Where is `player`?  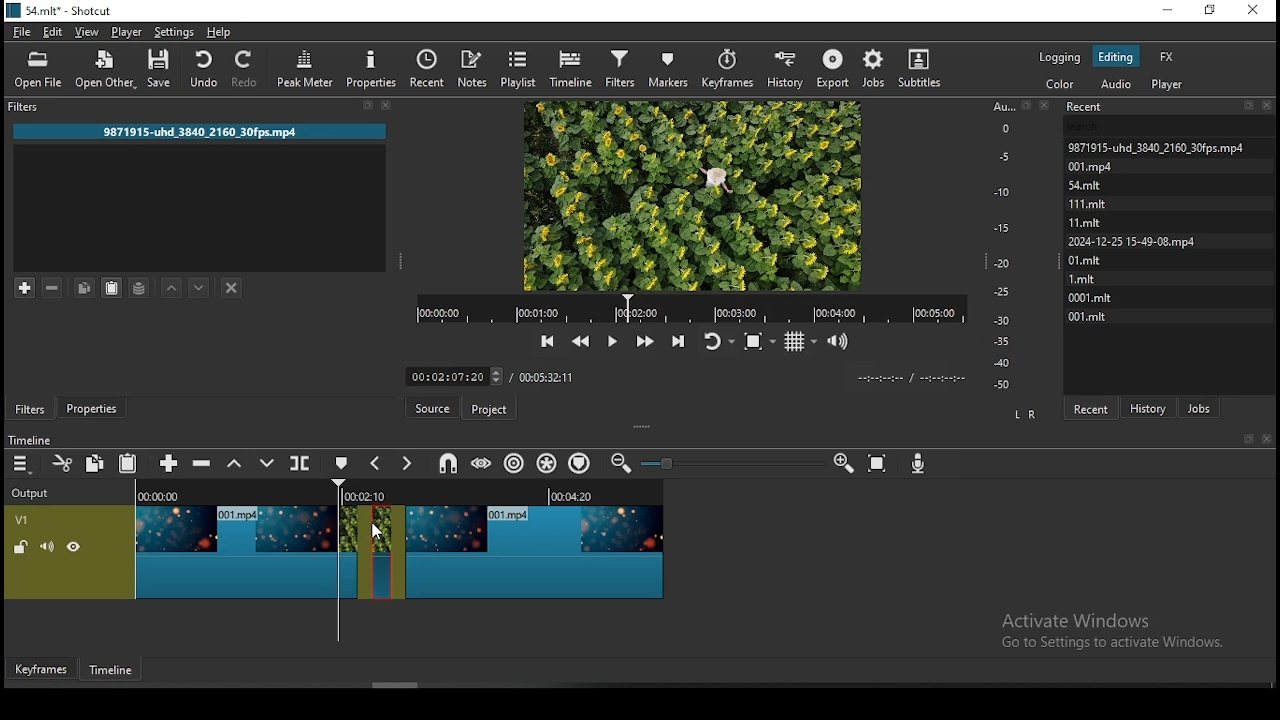
player is located at coordinates (1169, 86).